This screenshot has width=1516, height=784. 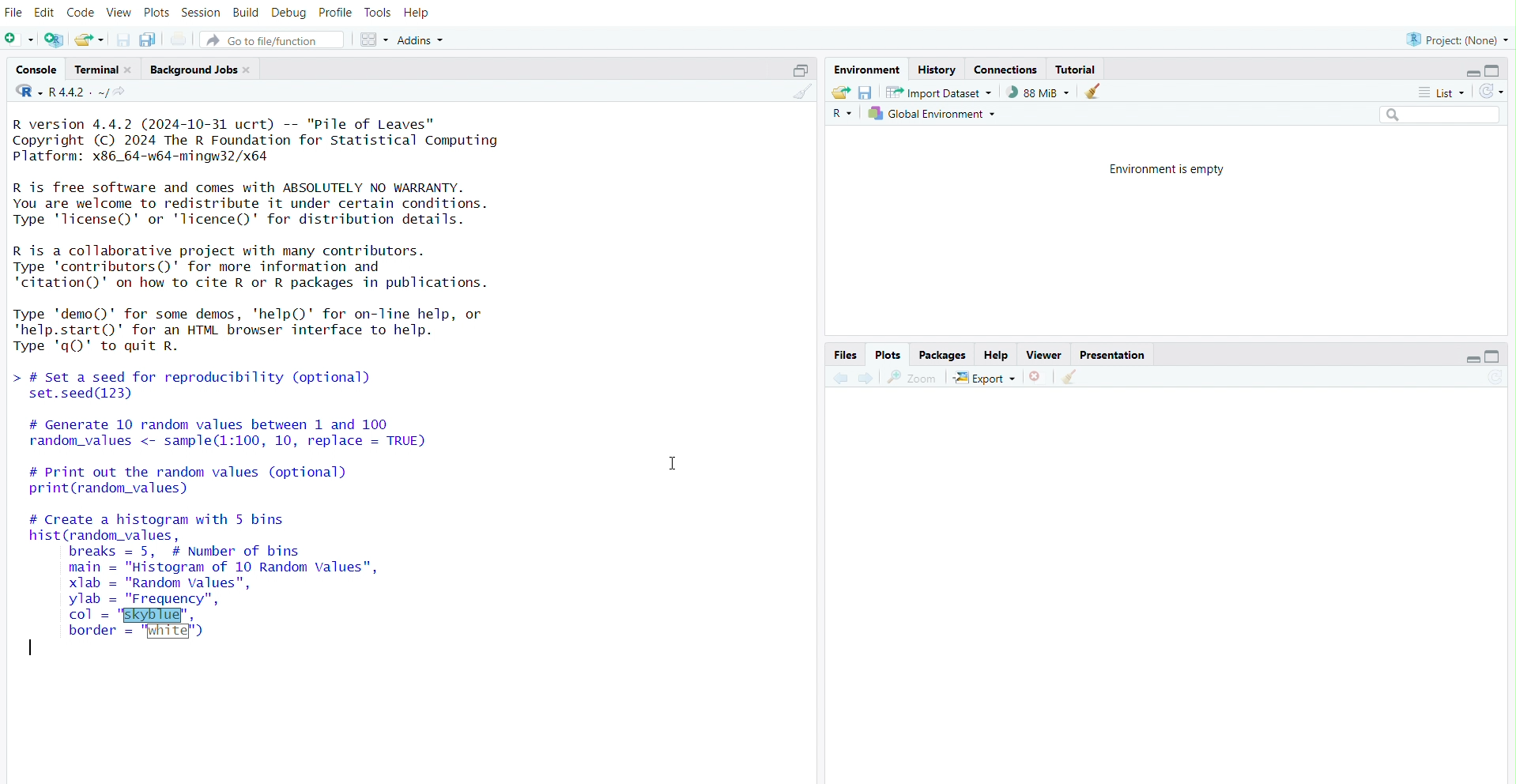 I want to click on maximize, so click(x=1500, y=69).